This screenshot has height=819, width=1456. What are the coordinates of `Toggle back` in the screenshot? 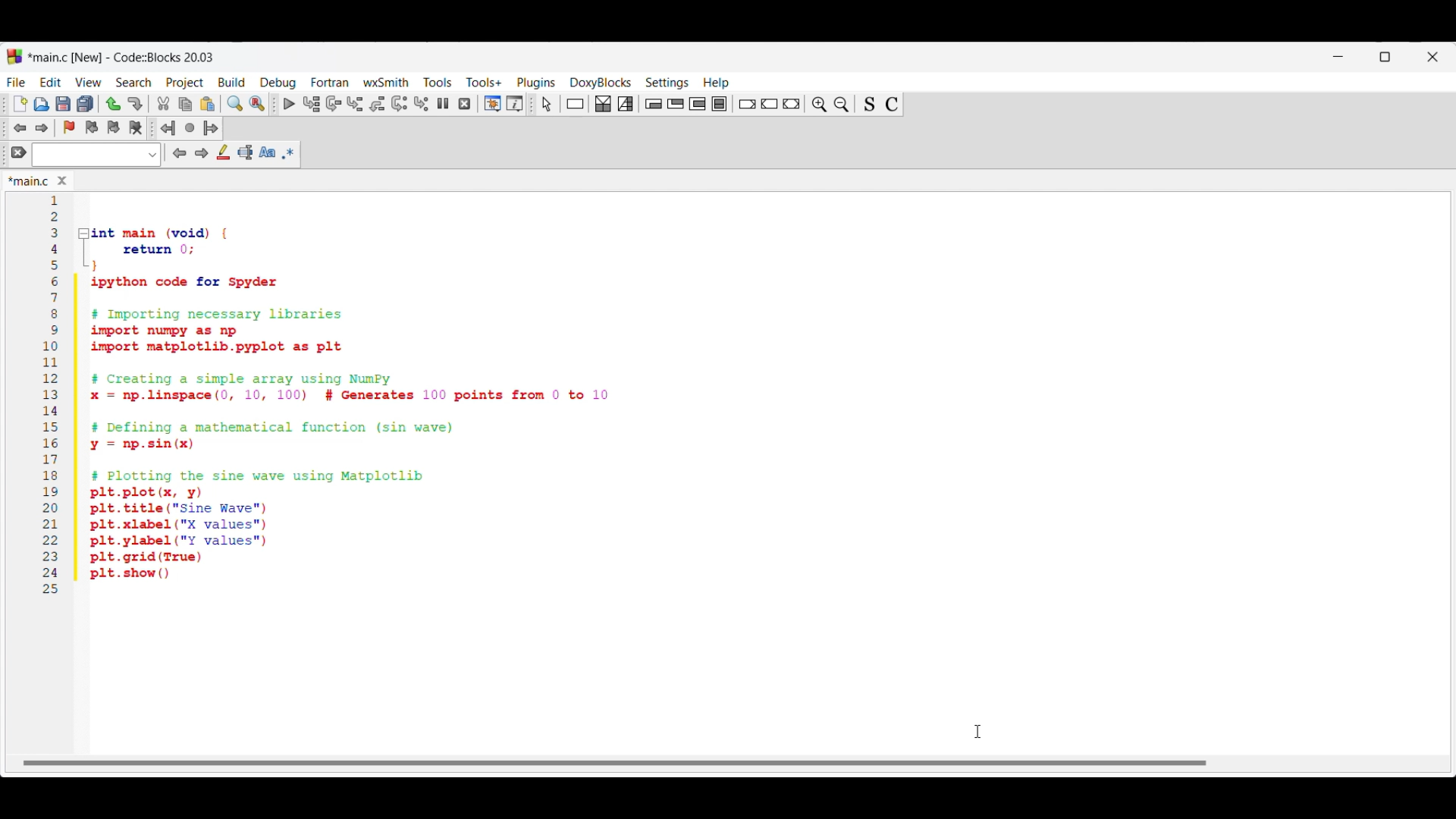 It's located at (20, 128).